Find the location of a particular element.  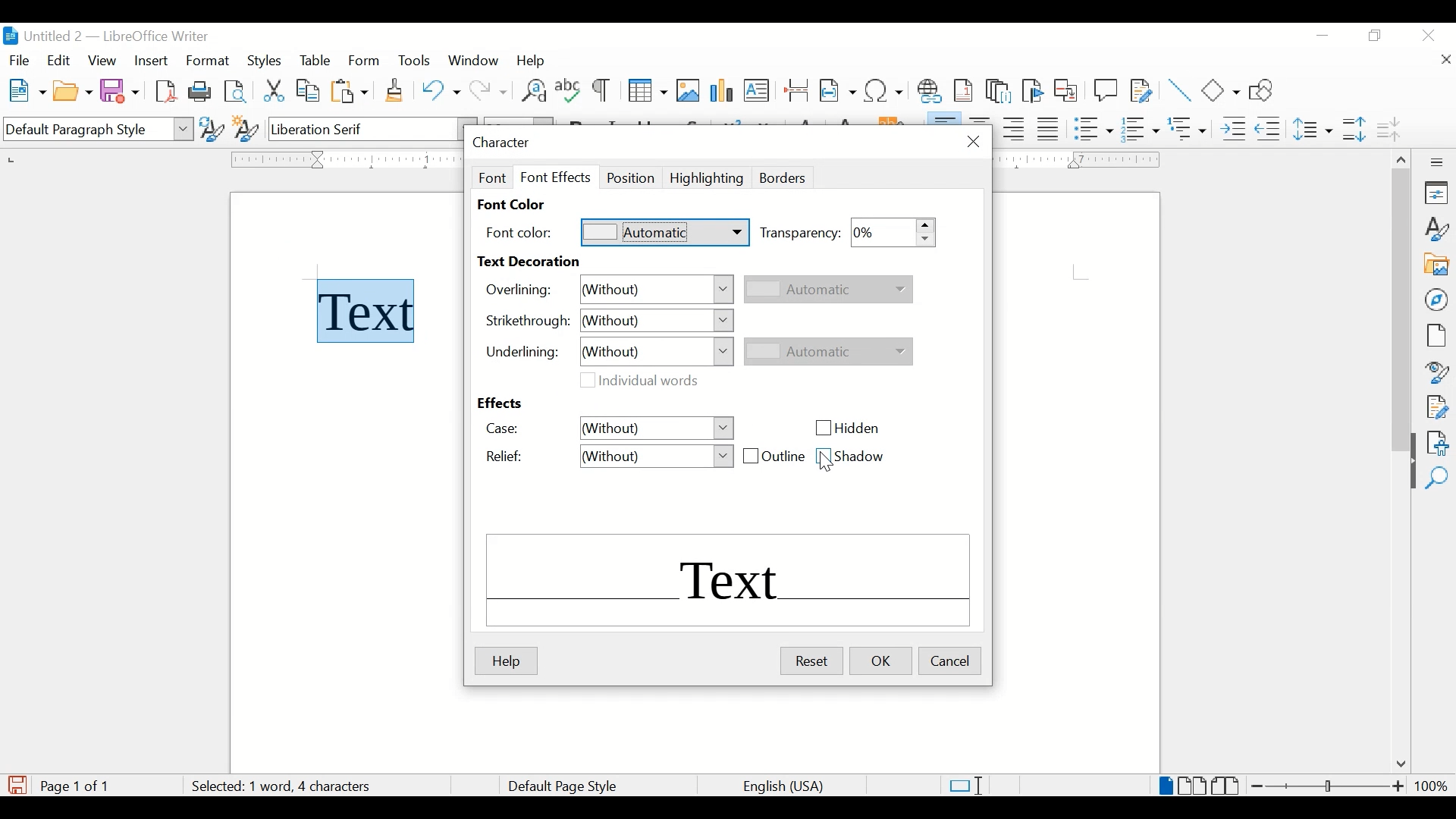

reset is located at coordinates (810, 661).